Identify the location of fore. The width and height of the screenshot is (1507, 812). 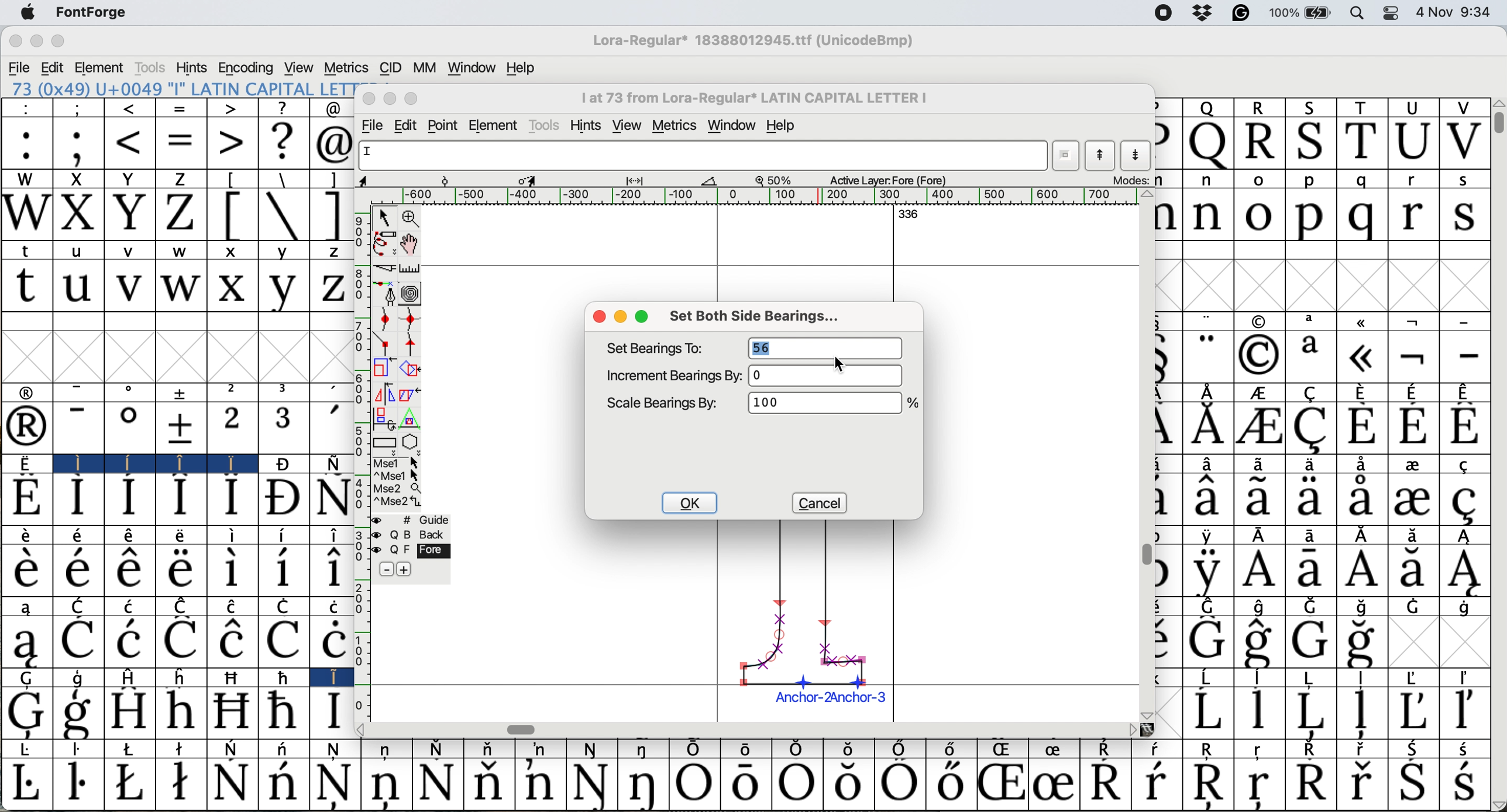
(422, 550).